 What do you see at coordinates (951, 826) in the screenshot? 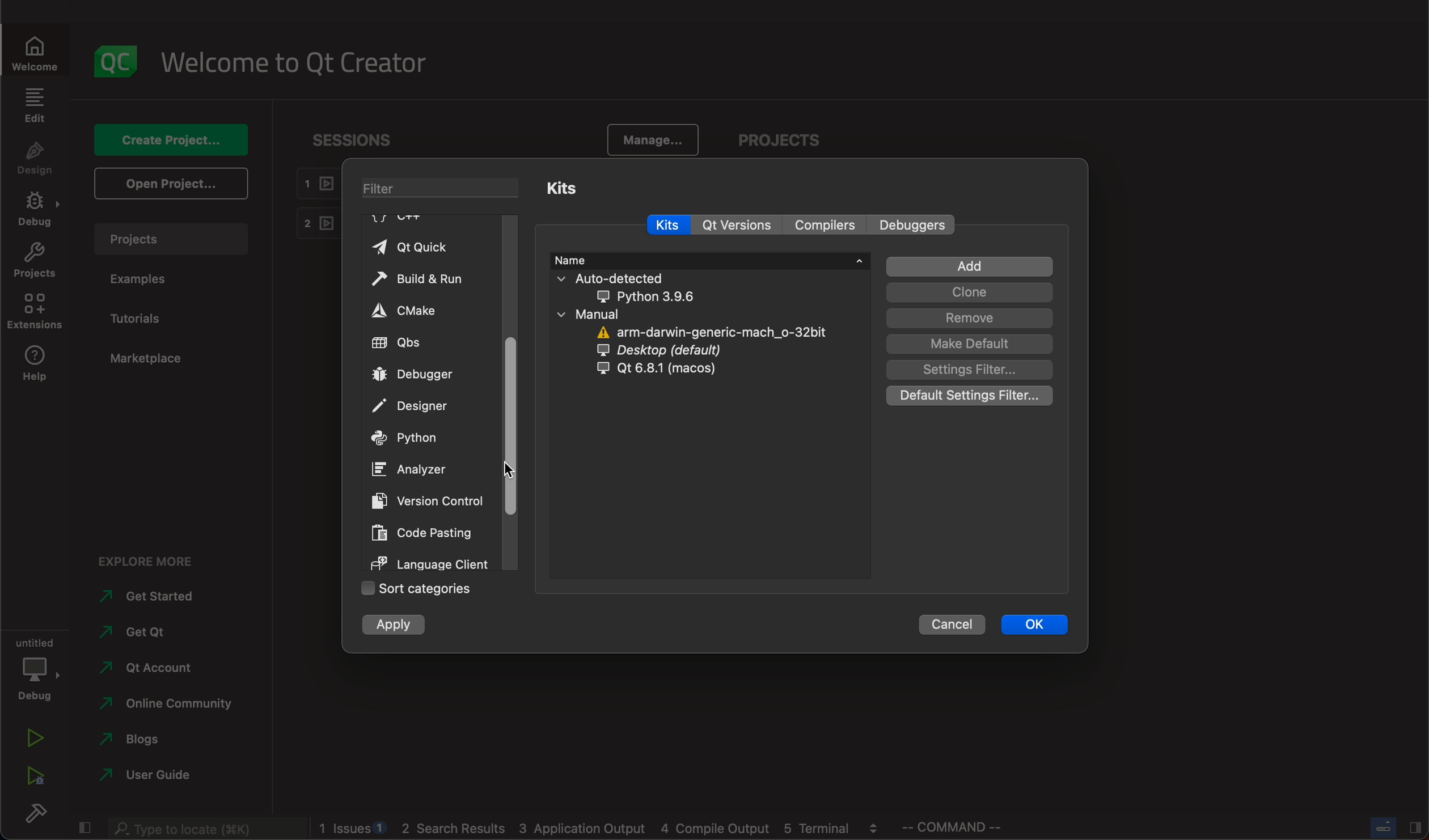
I see `command` at bounding box center [951, 826].